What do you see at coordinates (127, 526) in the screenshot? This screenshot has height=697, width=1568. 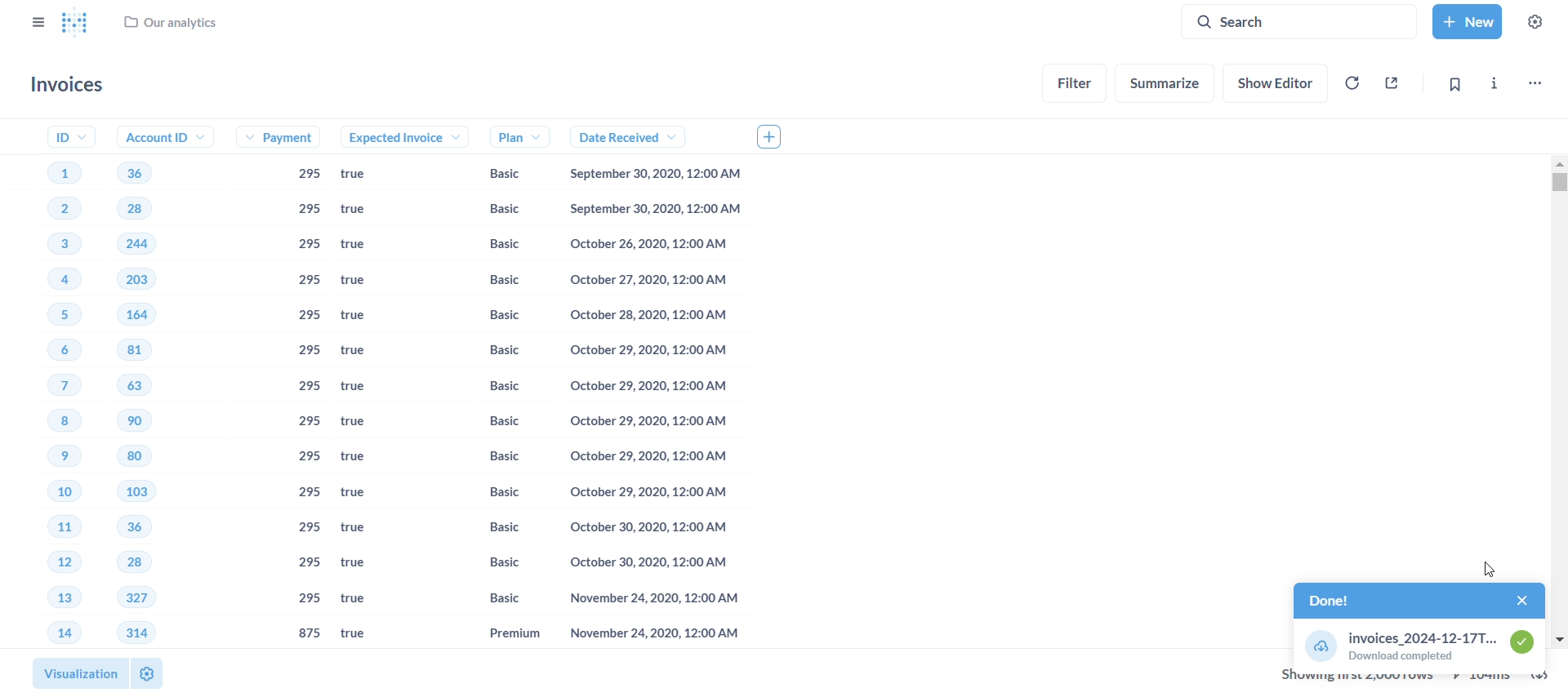 I see `36` at bounding box center [127, 526].